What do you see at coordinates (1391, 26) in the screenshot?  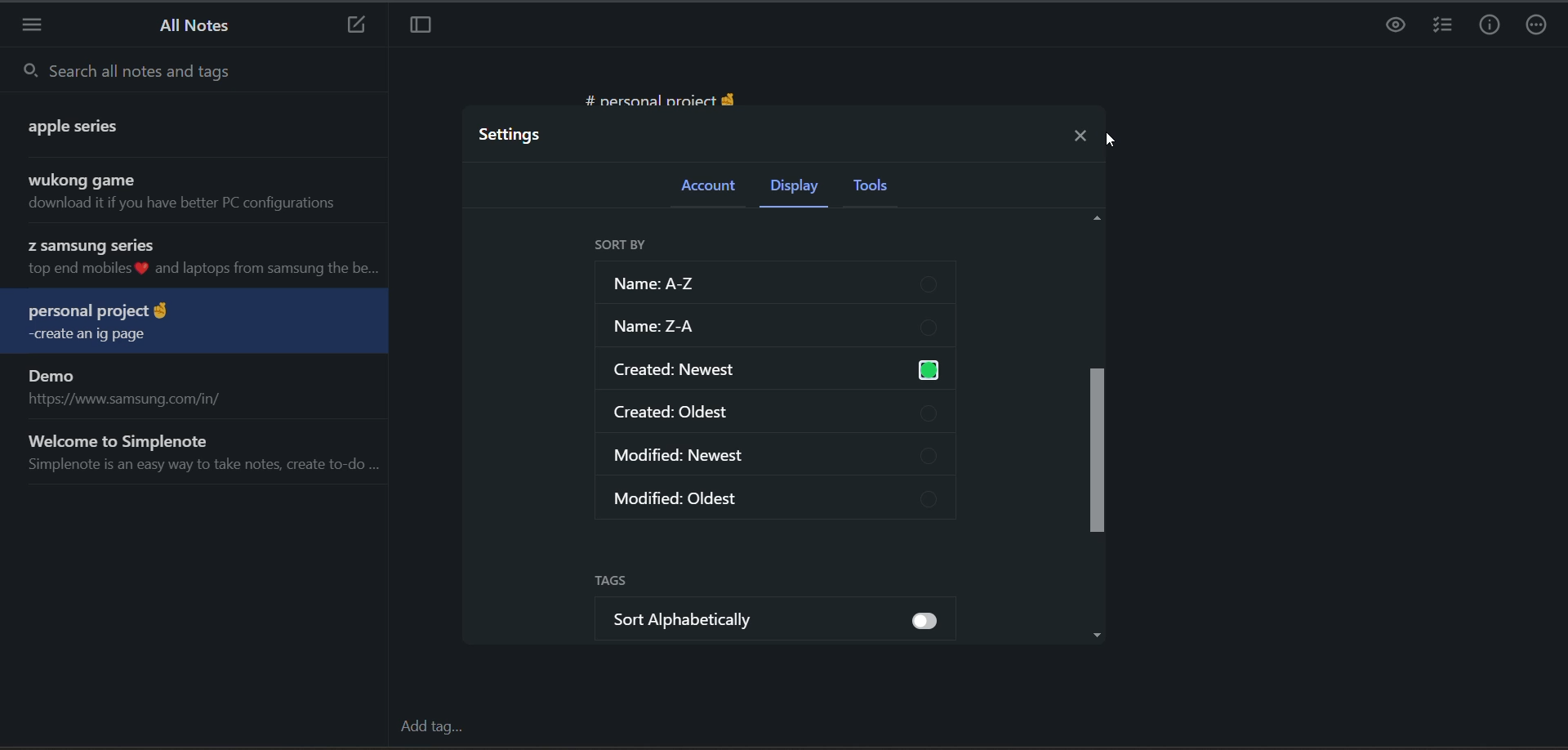 I see `preview` at bounding box center [1391, 26].